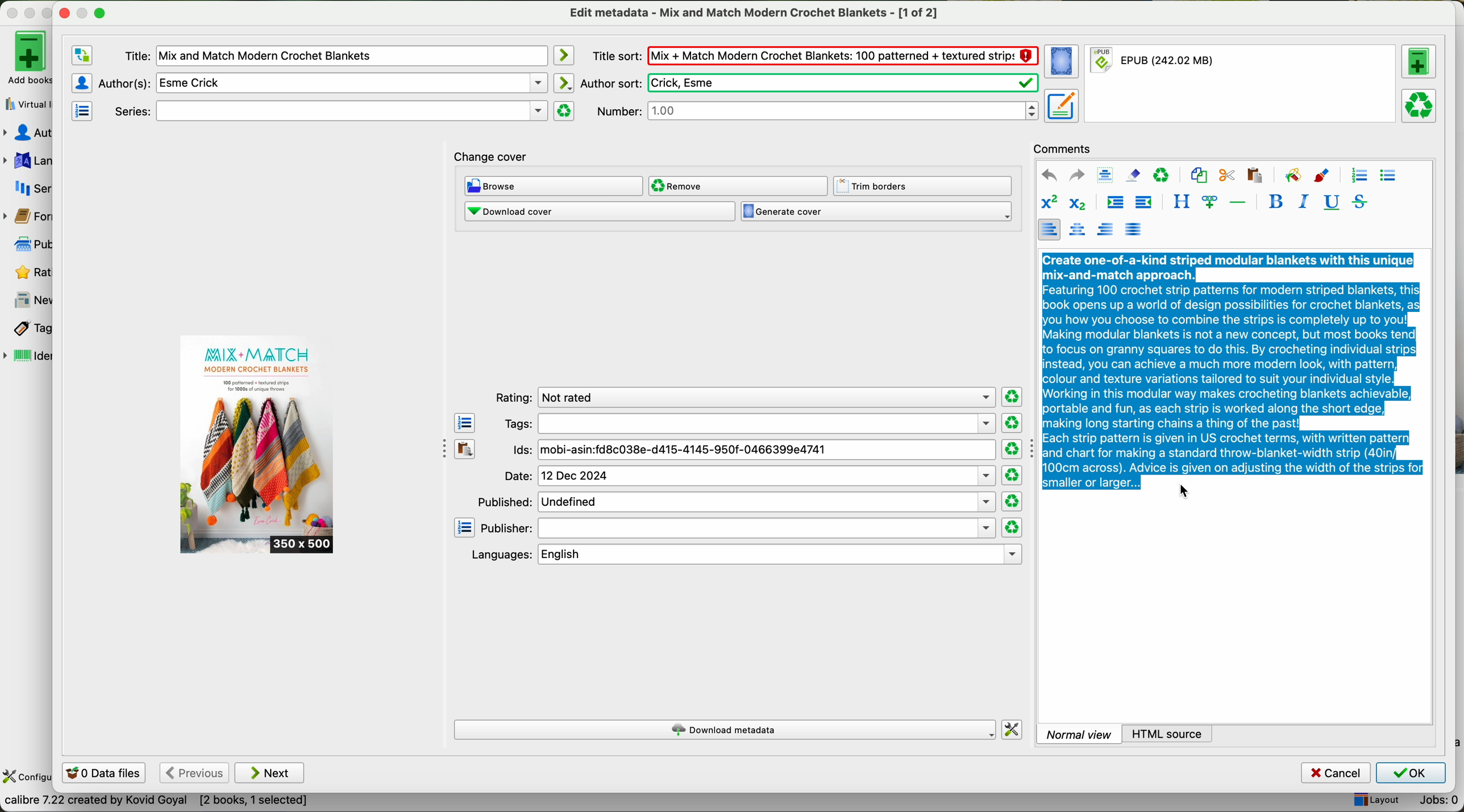 Image resolution: width=1464 pixels, height=812 pixels. What do you see at coordinates (465, 528) in the screenshot?
I see `open the manage publishers editor` at bounding box center [465, 528].